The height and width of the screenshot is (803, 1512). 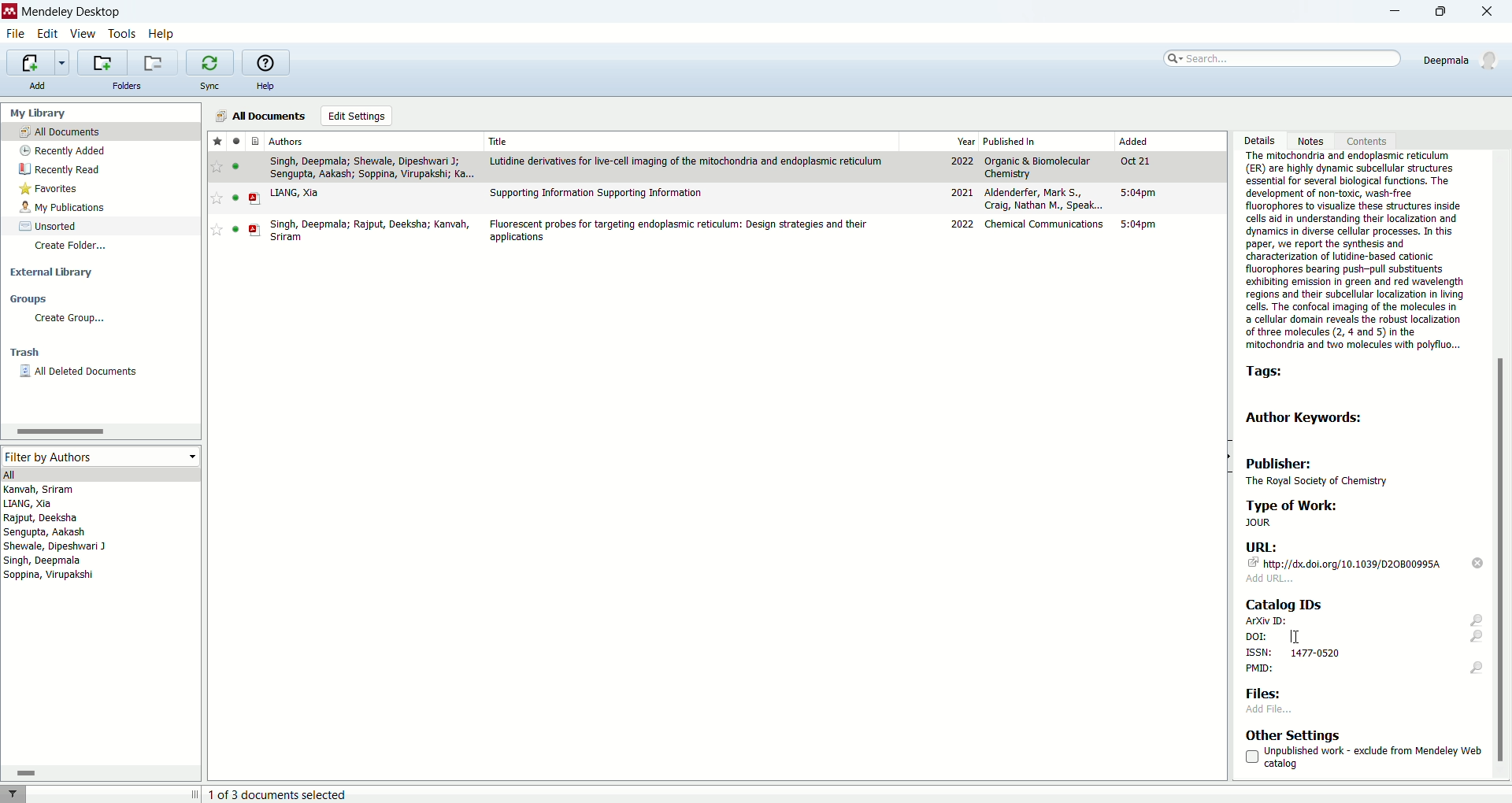 What do you see at coordinates (217, 198) in the screenshot?
I see `favorite` at bounding box center [217, 198].